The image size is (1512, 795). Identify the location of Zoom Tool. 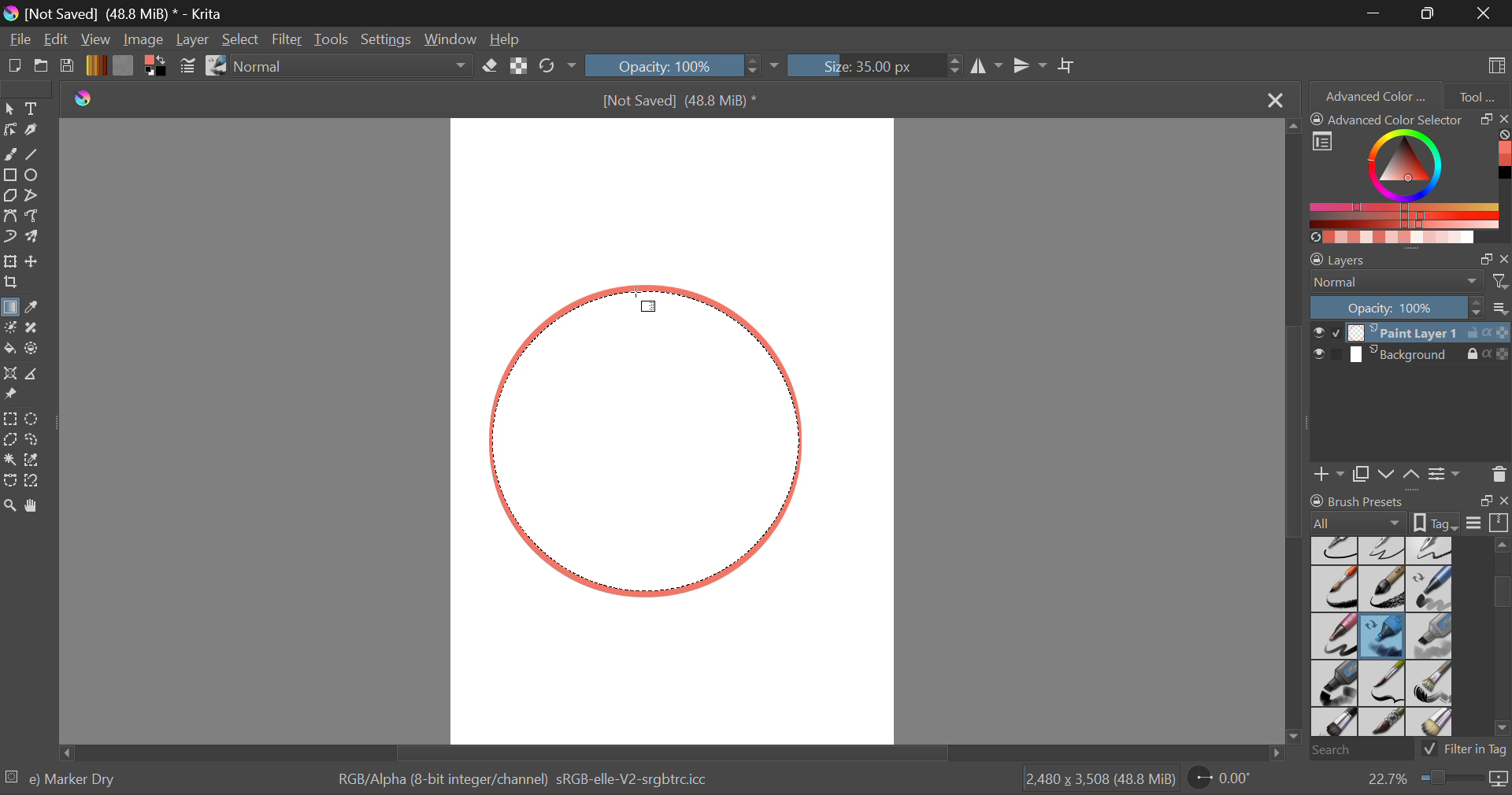
(10, 505).